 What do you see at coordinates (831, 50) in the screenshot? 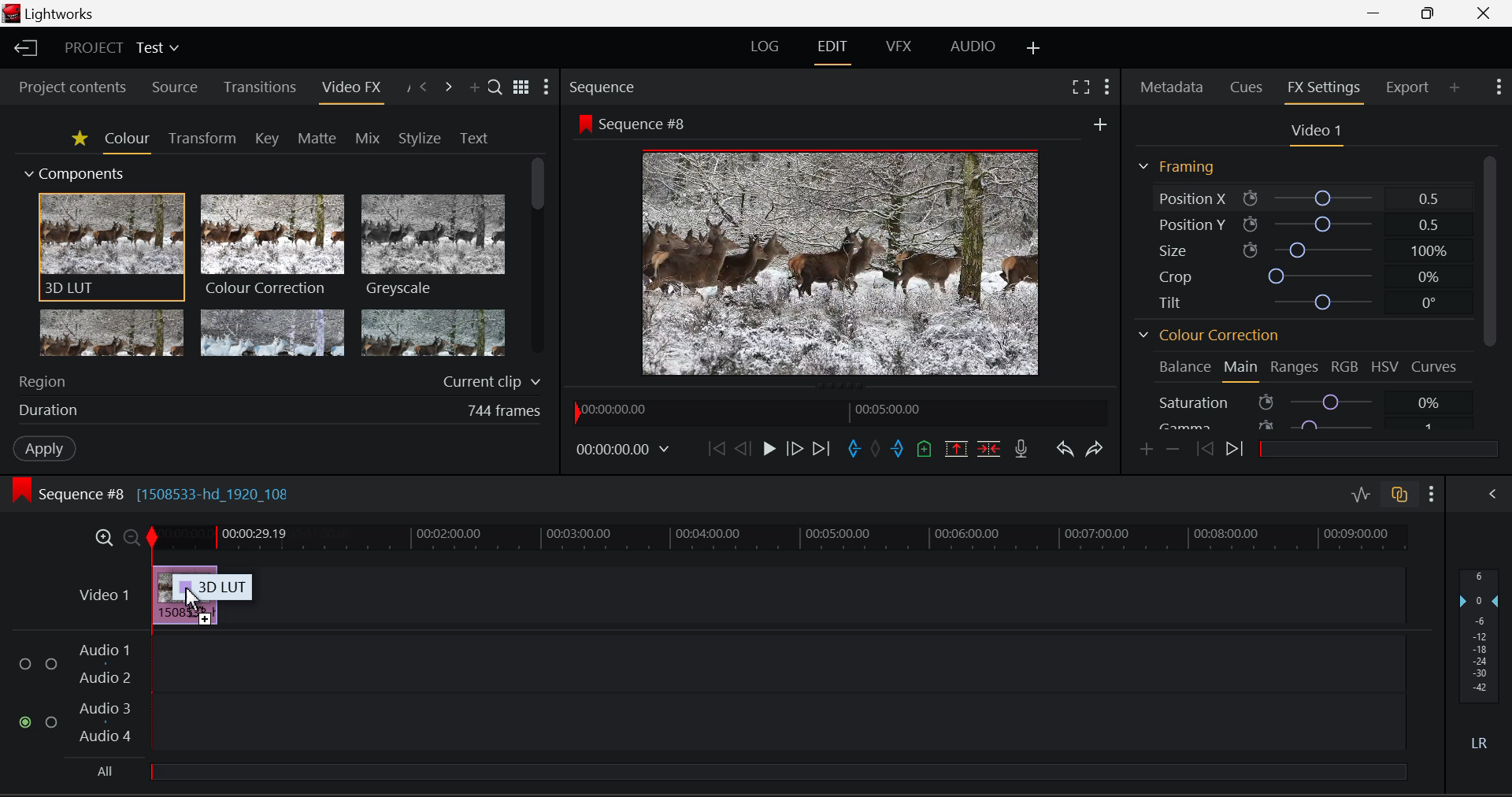
I see `EDIT Layout` at bounding box center [831, 50].